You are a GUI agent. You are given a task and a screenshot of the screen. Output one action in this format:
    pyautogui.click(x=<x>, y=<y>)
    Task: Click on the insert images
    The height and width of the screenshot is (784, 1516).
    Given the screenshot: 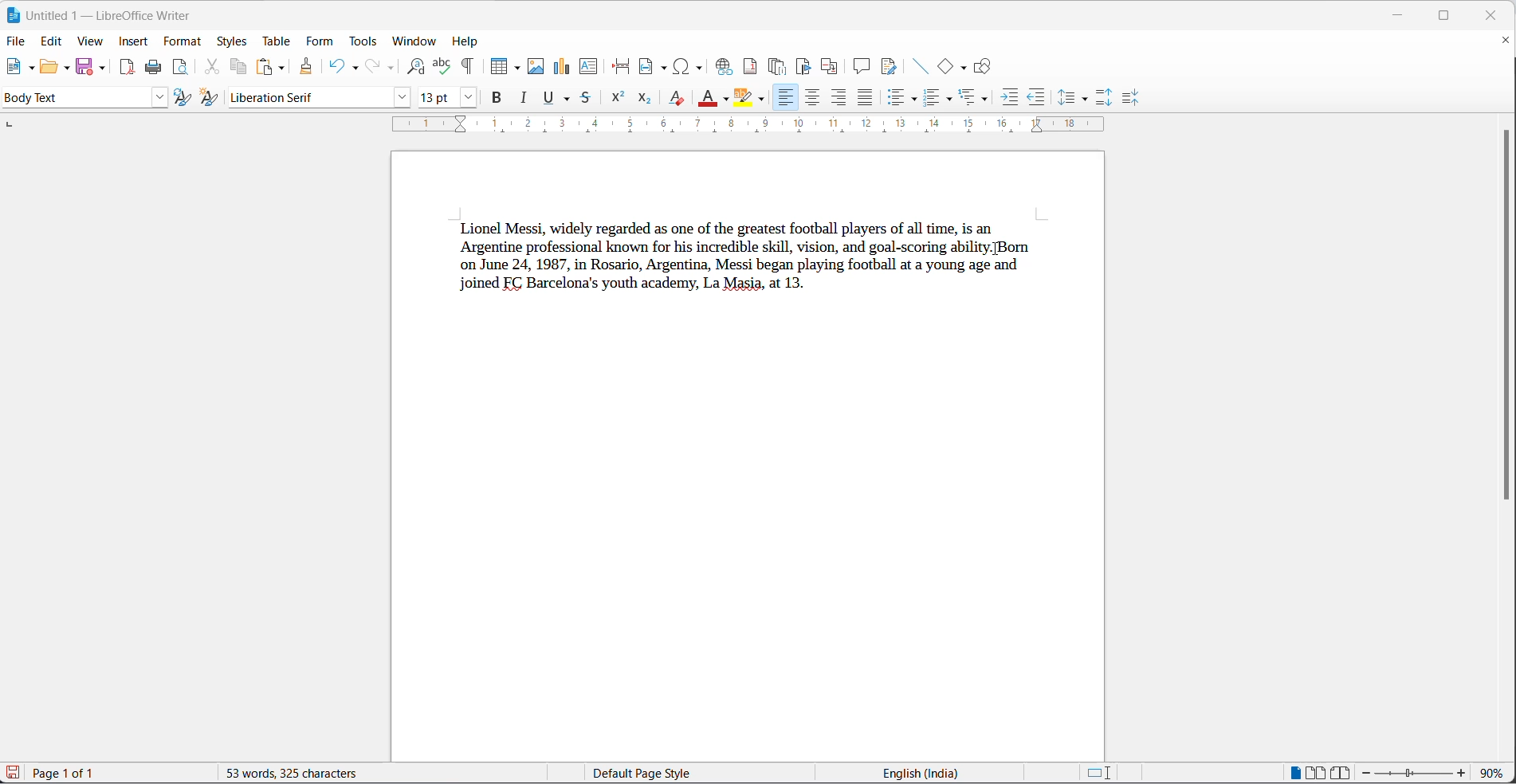 What is the action you would take?
    pyautogui.click(x=536, y=67)
    